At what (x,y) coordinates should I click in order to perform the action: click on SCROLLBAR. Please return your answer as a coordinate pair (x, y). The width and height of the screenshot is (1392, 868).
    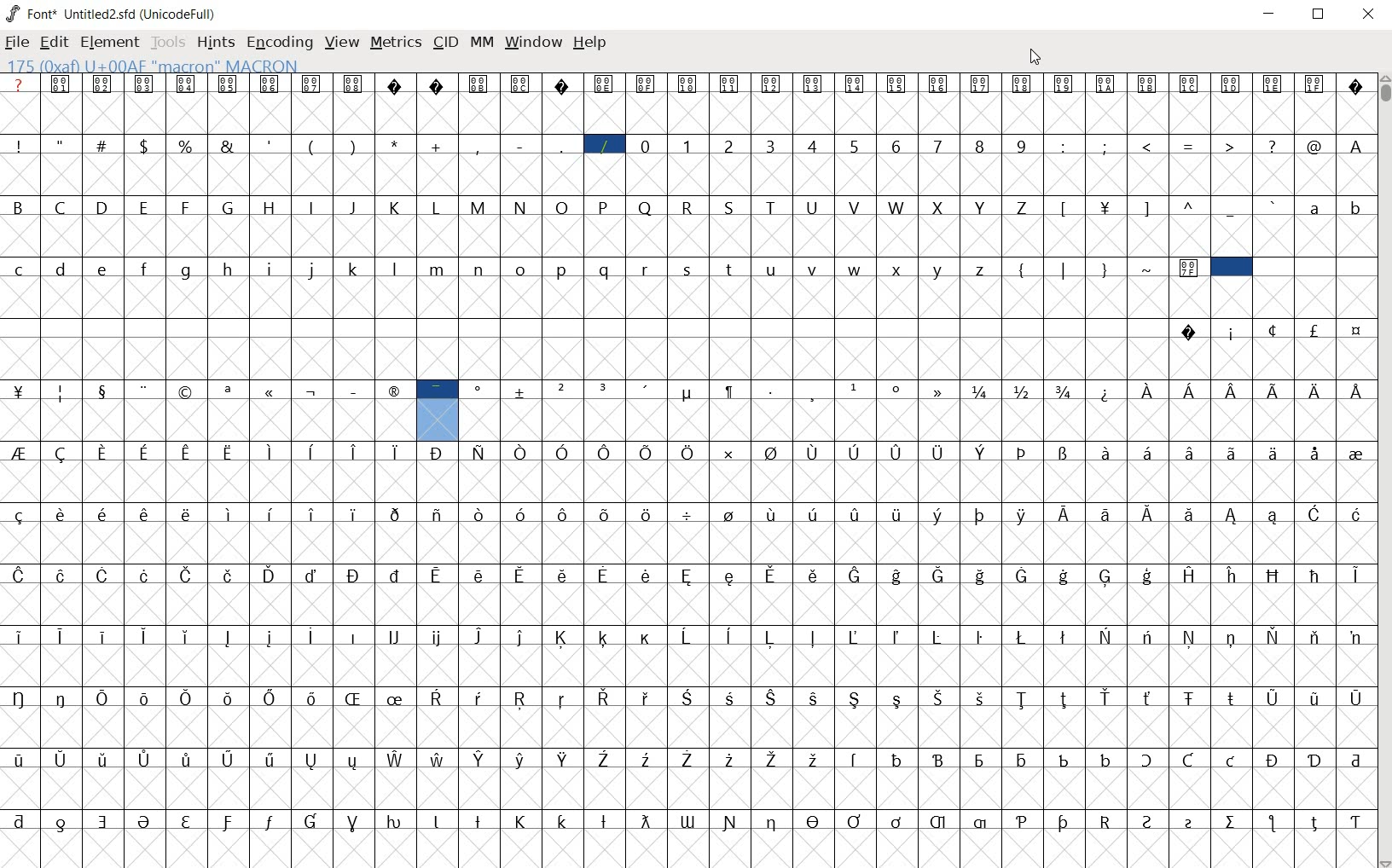
    Looking at the image, I should click on (1383, 472).